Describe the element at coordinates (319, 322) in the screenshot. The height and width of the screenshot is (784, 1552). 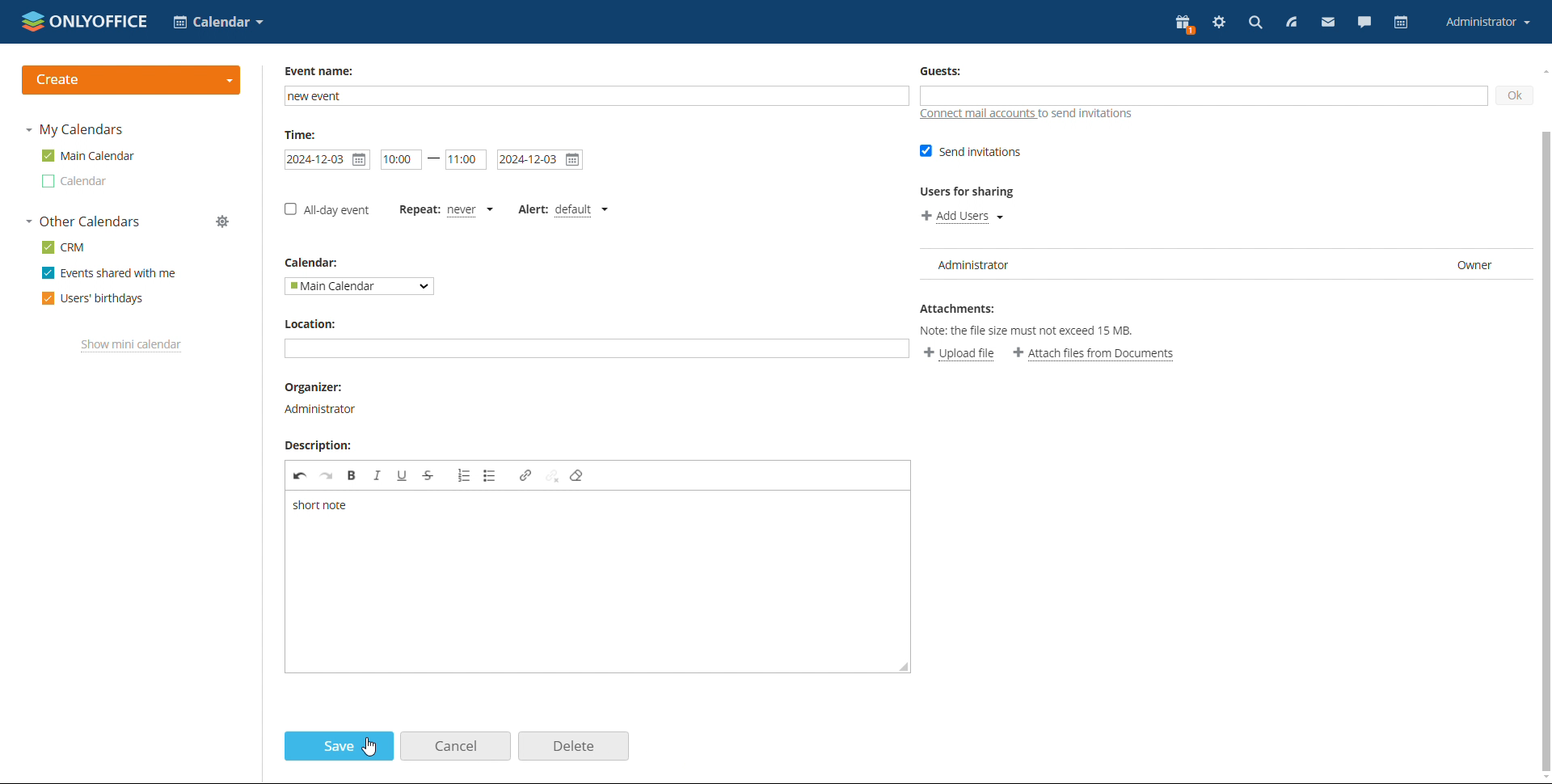
I see `Location:` at that location.